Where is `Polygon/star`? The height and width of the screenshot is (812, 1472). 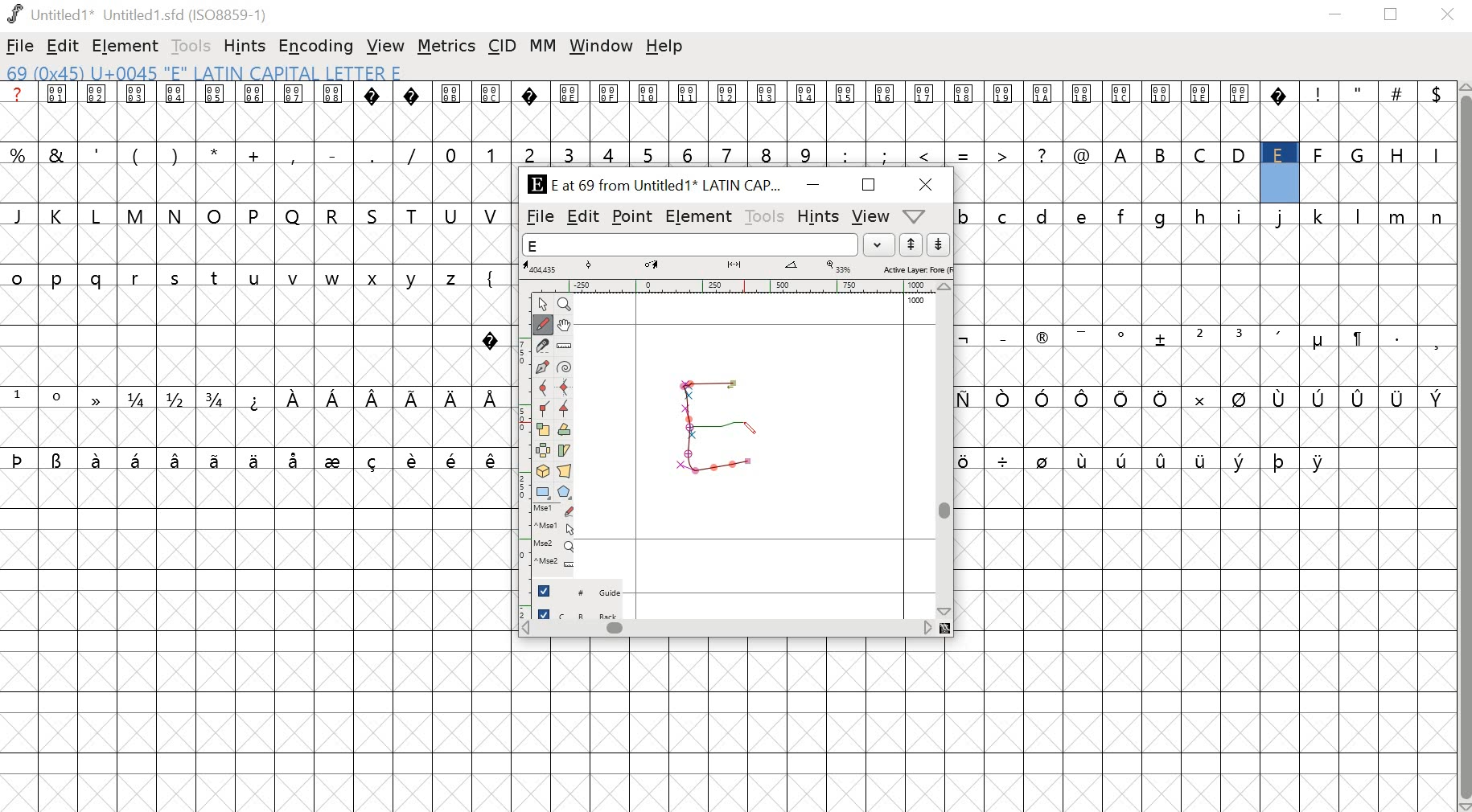
Polygon/star is located at coordinates (562, 493).